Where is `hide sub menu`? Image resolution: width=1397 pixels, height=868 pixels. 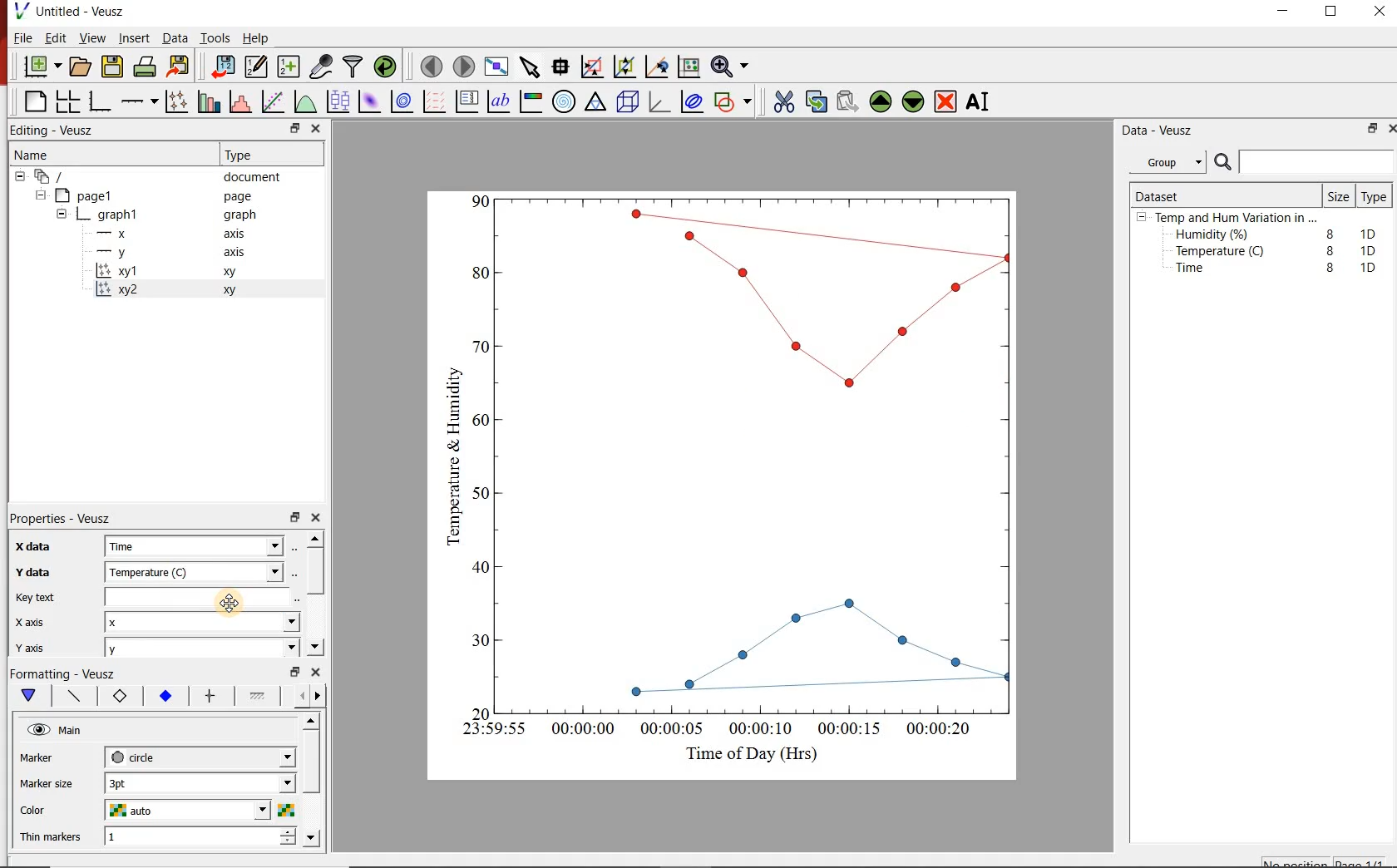 hide sub menu is located at coordinates (62, 213).